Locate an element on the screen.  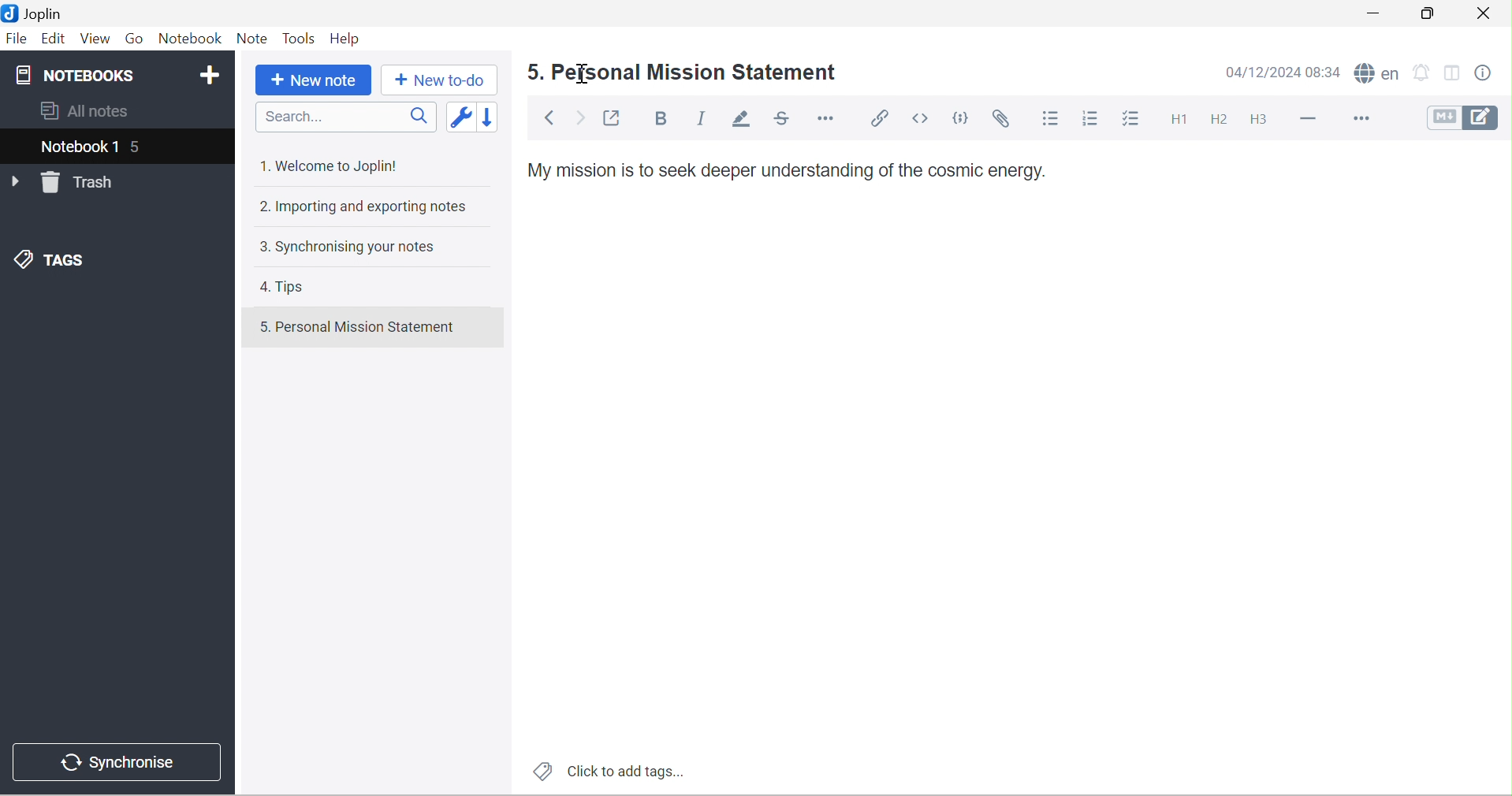
New note is located at coordinates (316, 80).